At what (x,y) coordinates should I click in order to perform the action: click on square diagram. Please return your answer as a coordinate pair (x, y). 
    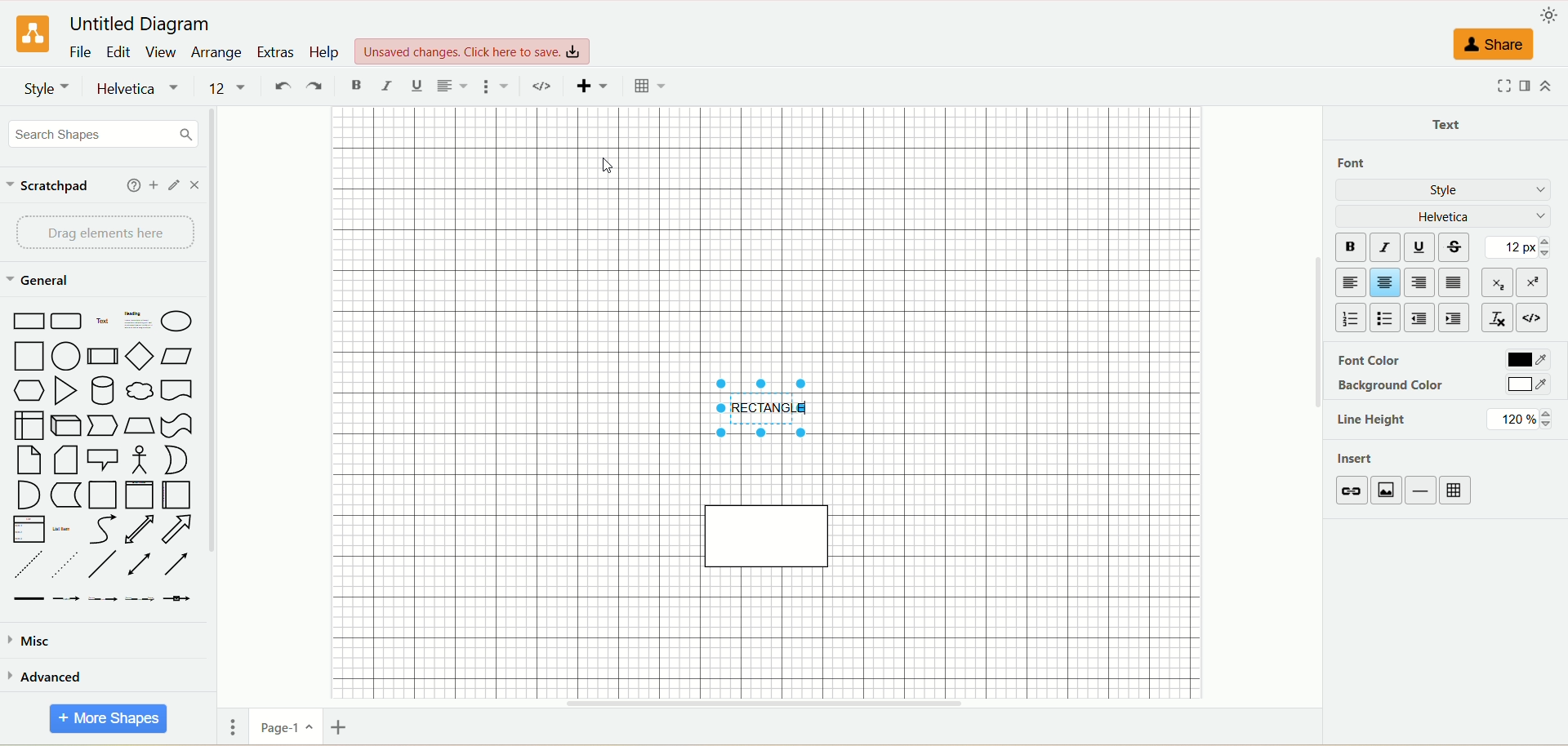
    Looking at the image, I should click on (768, 534).